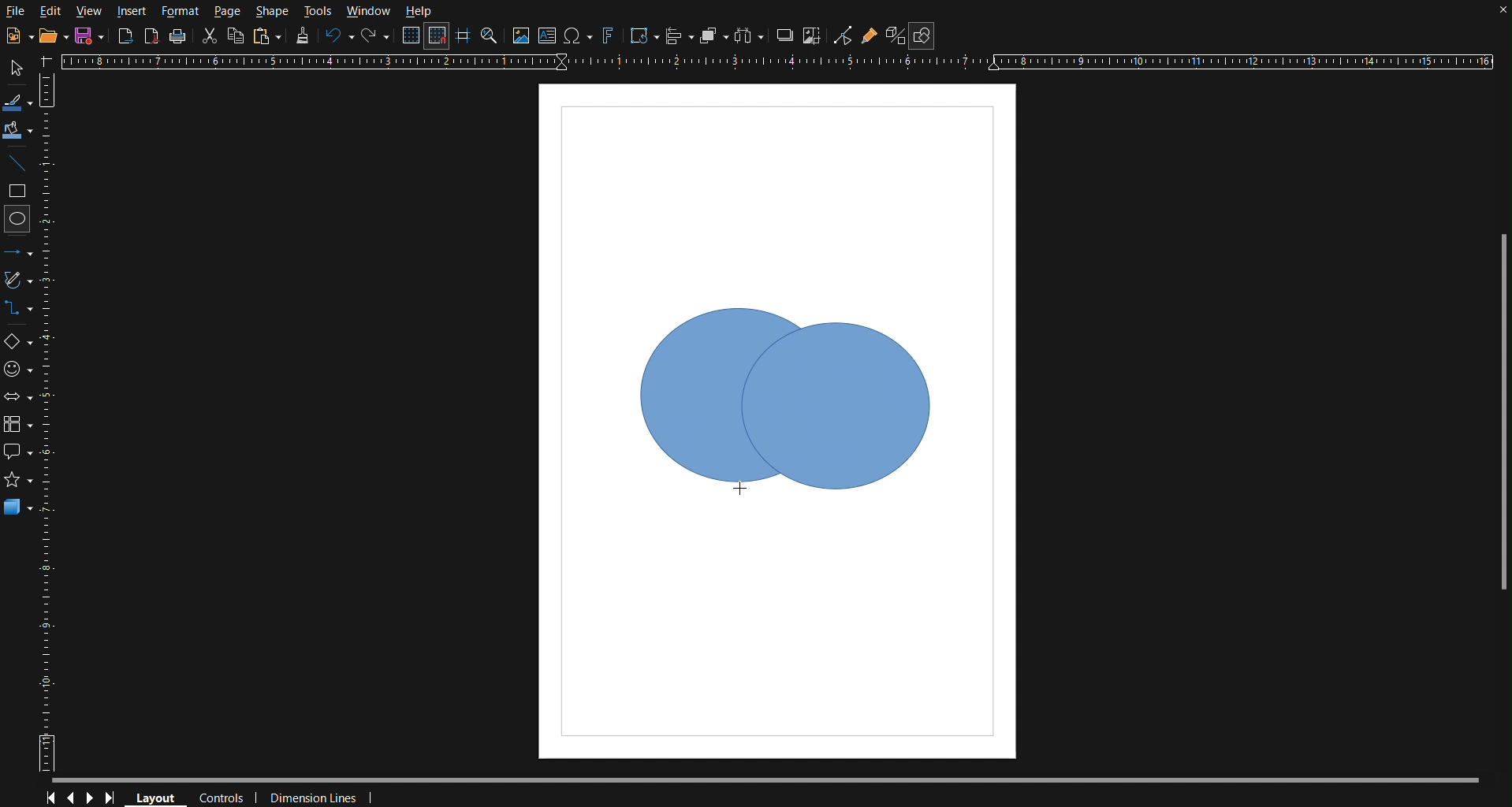  I want to click on Distribute objects, so click(754, 37).